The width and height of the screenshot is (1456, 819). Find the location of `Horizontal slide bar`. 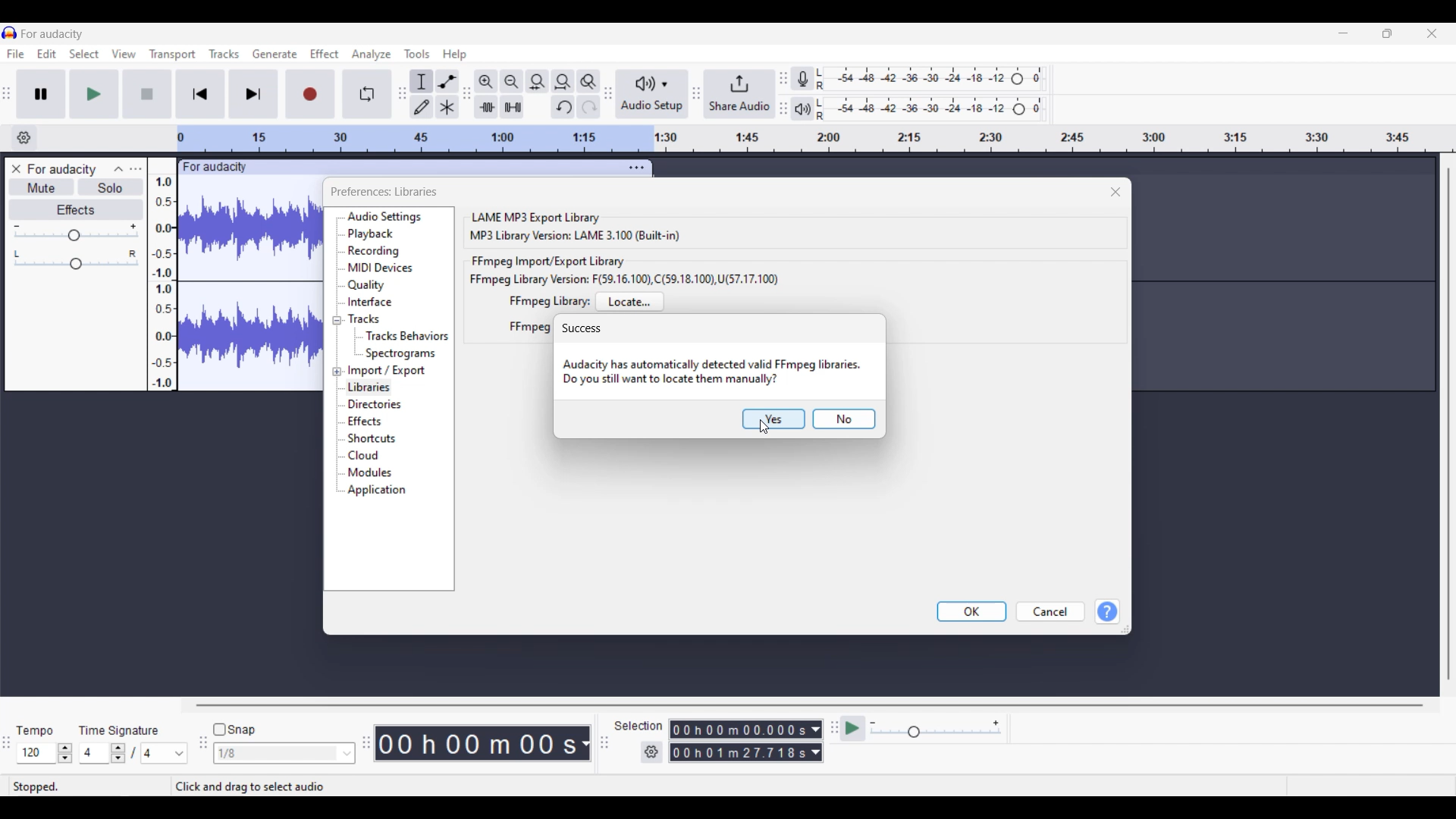

Horizontal slide bar is located at coordinates (809, 704).